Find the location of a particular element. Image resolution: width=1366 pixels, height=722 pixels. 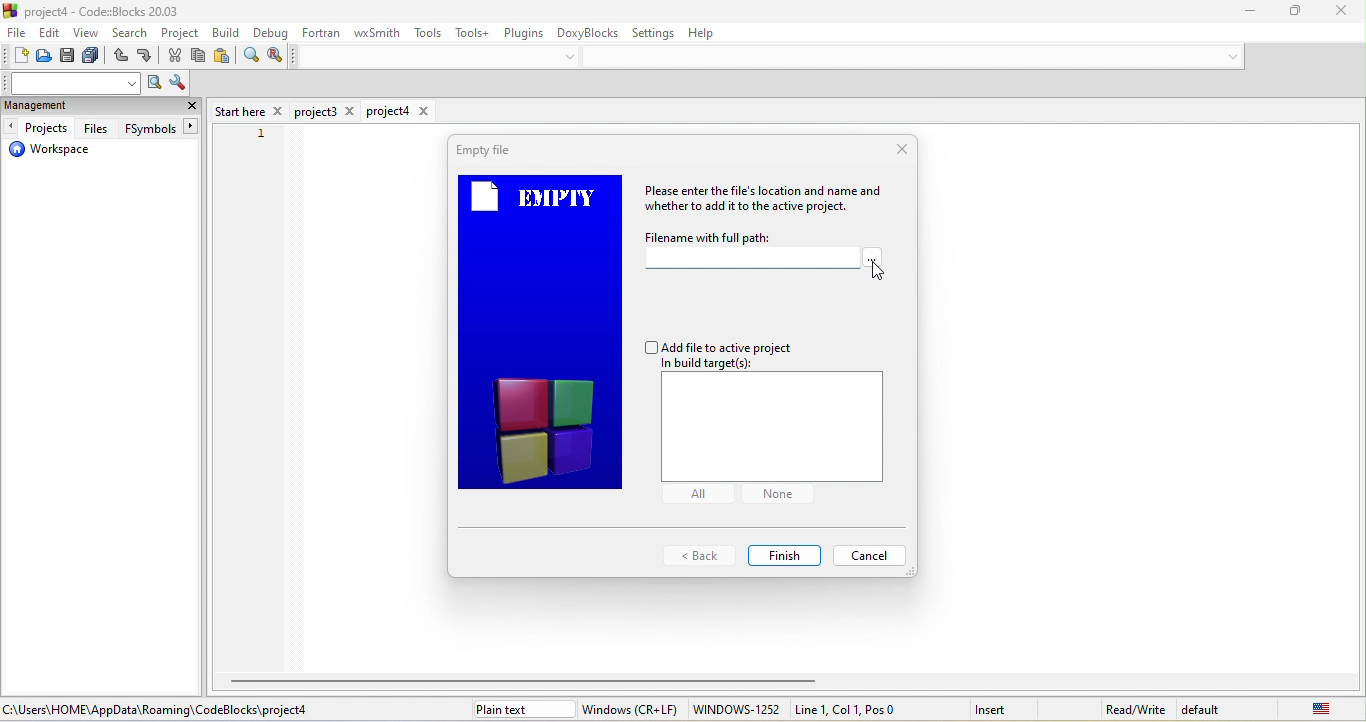

save is located at coordinates (70, 58).